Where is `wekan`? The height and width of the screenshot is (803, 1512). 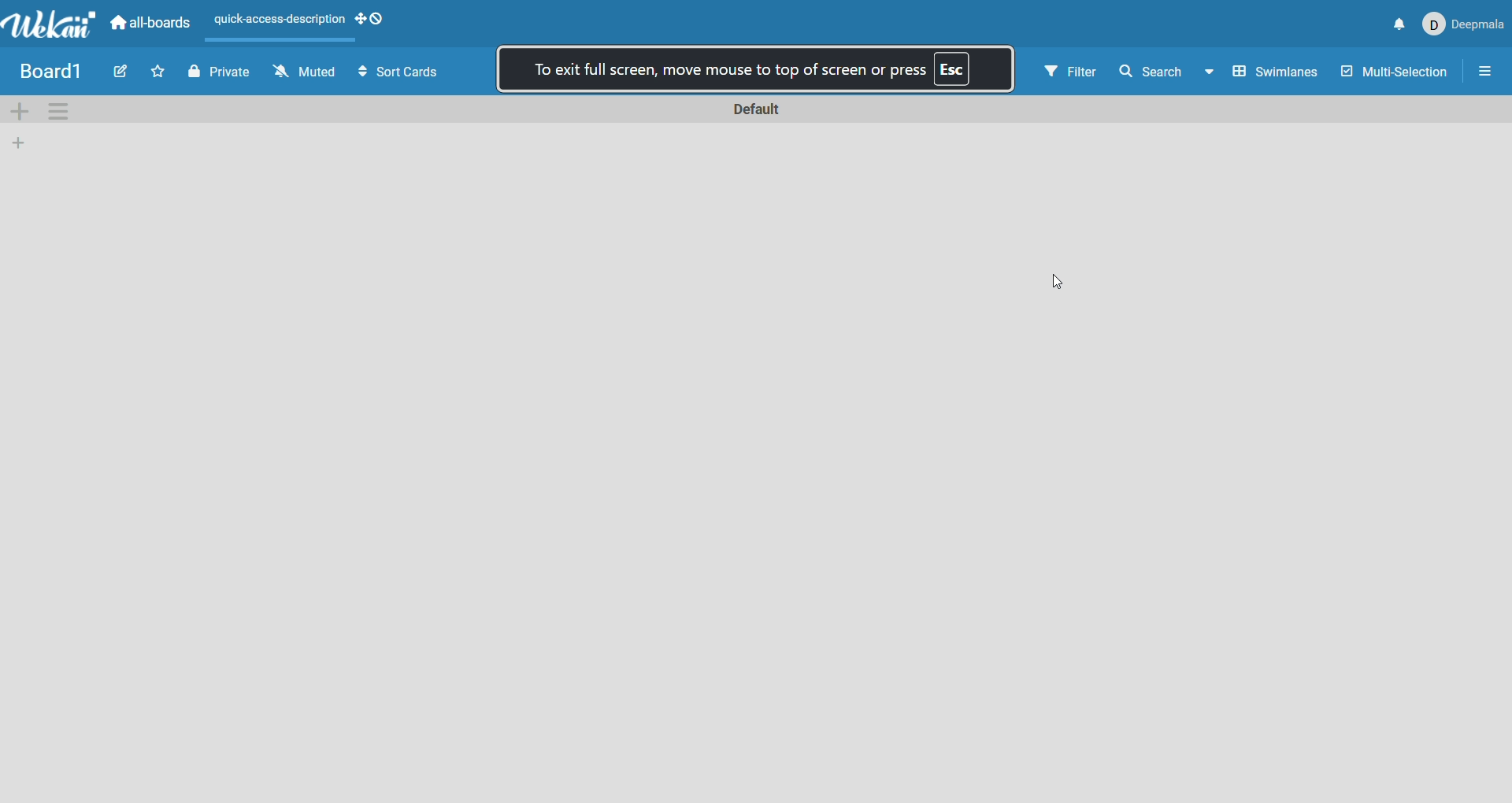 wekan is located at coordinates (49, 27).